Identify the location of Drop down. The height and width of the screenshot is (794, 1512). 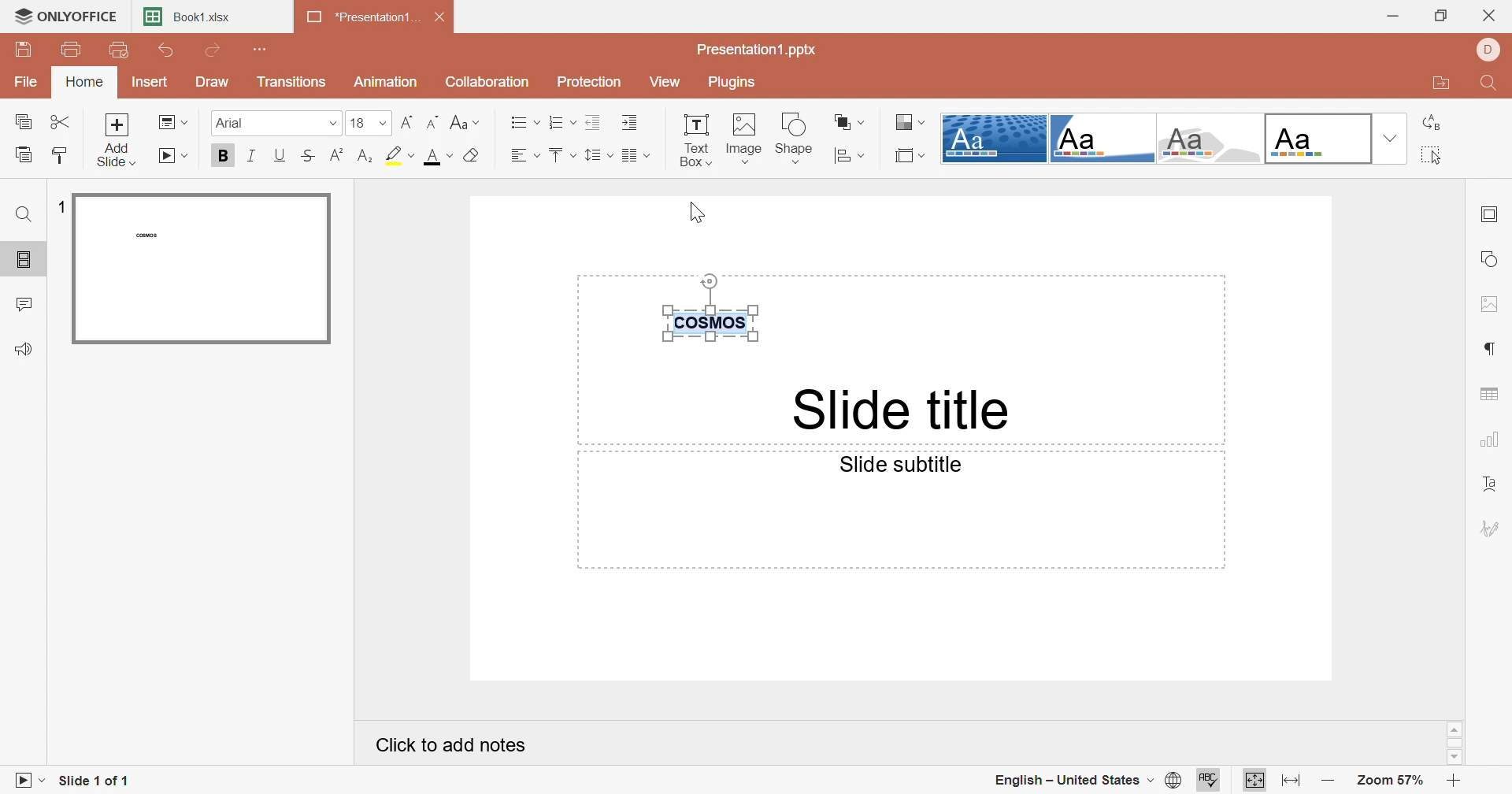
(1393, 139).